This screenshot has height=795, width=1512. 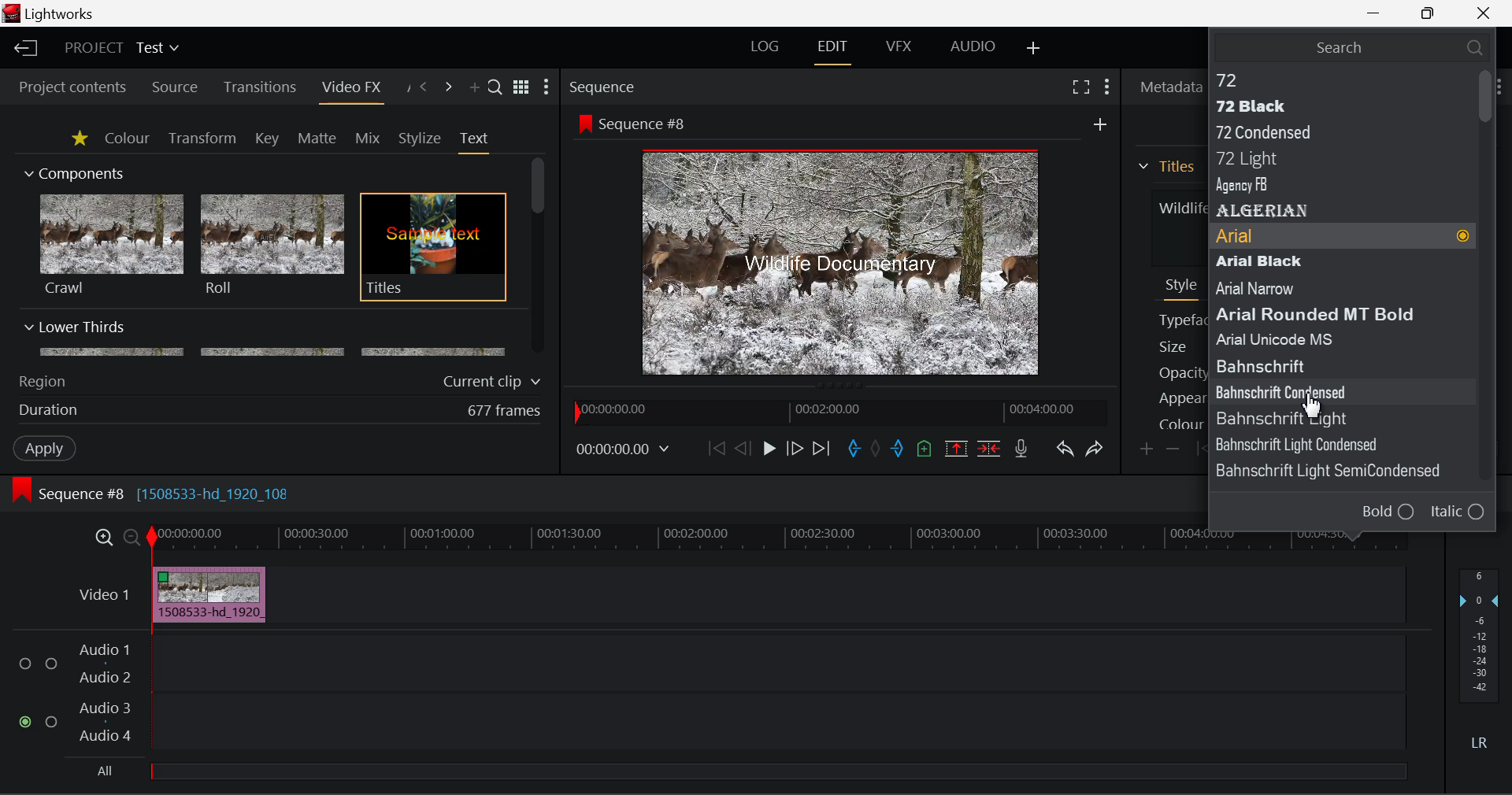 I want to click on Titles, so click(x=433, y=248).